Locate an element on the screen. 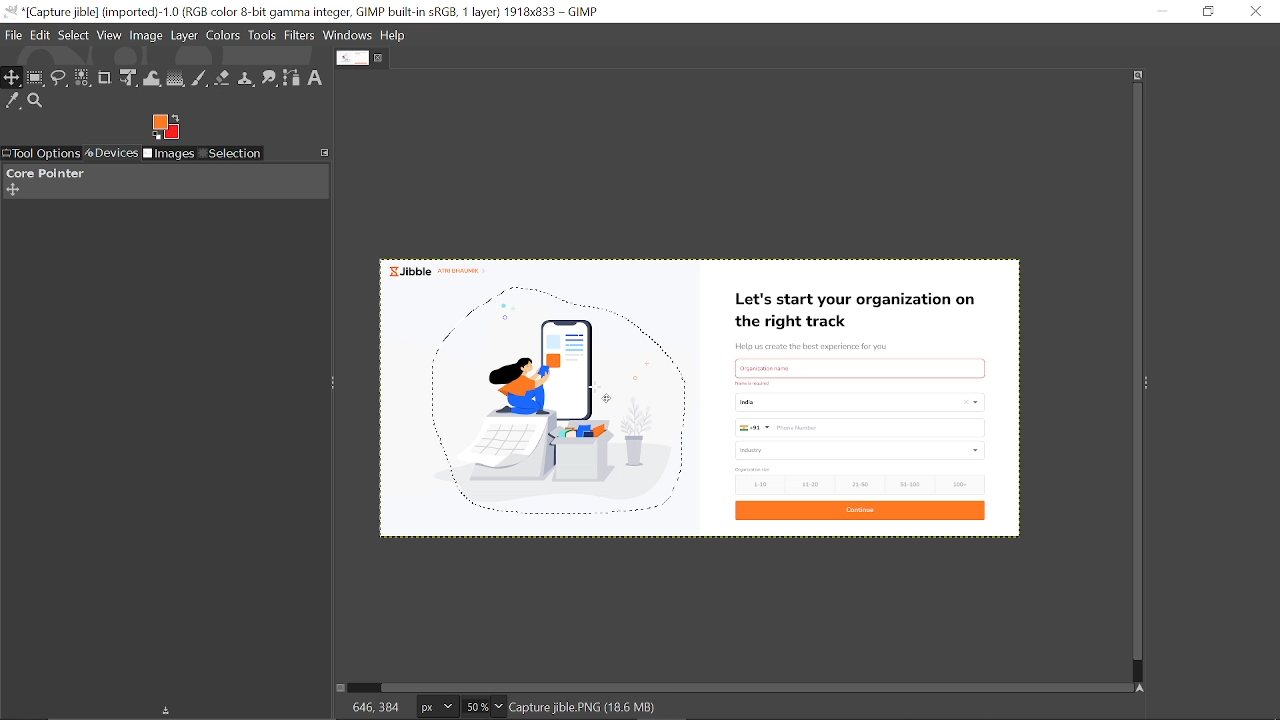  Select by color is located at coordinates (83, 79).